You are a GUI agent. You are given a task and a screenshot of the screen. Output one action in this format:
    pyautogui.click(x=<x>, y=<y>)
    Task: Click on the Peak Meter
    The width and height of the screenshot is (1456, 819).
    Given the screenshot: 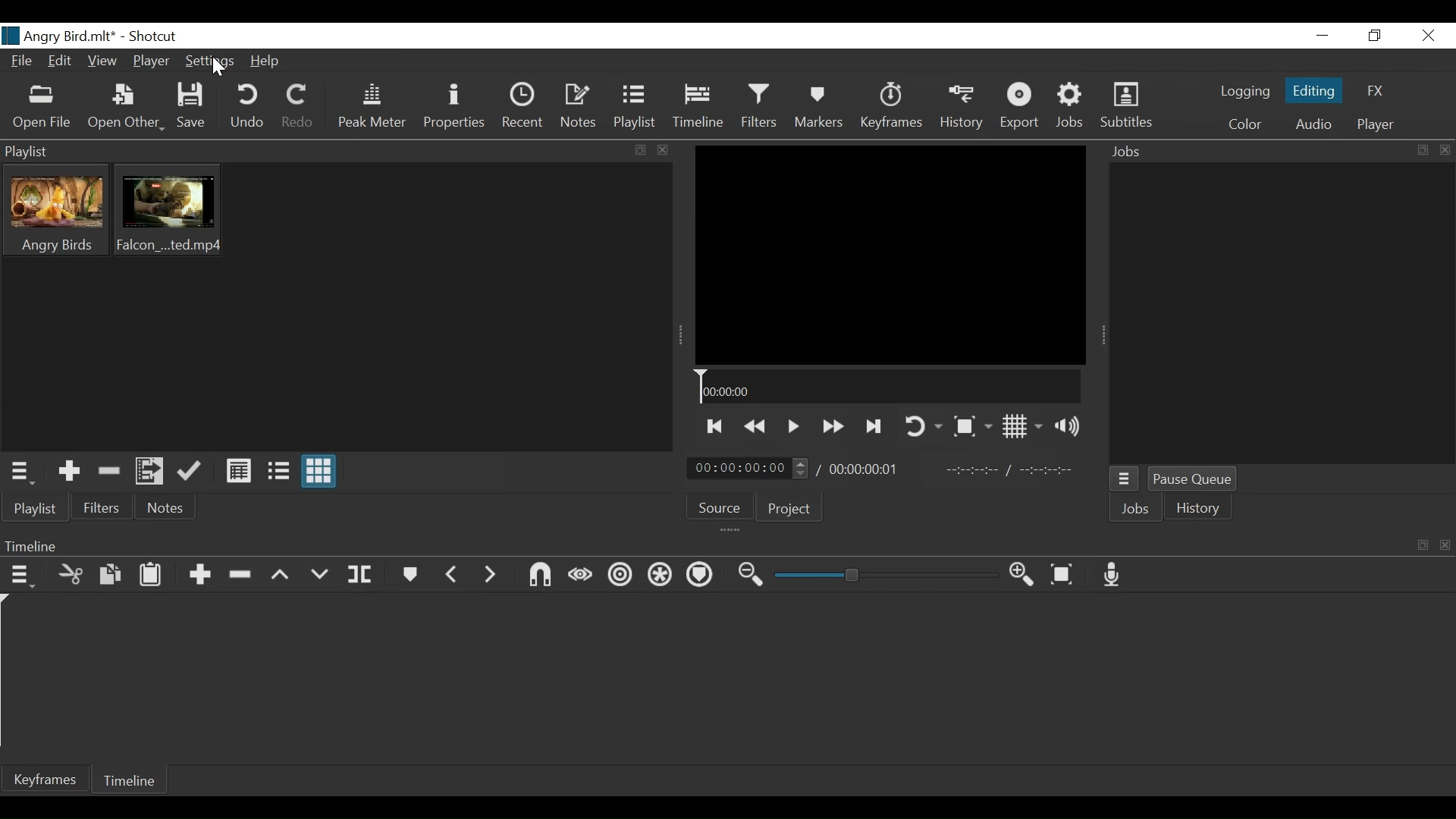 What is the action you would take?
    pyautogui.click(x=374, y=108)
    